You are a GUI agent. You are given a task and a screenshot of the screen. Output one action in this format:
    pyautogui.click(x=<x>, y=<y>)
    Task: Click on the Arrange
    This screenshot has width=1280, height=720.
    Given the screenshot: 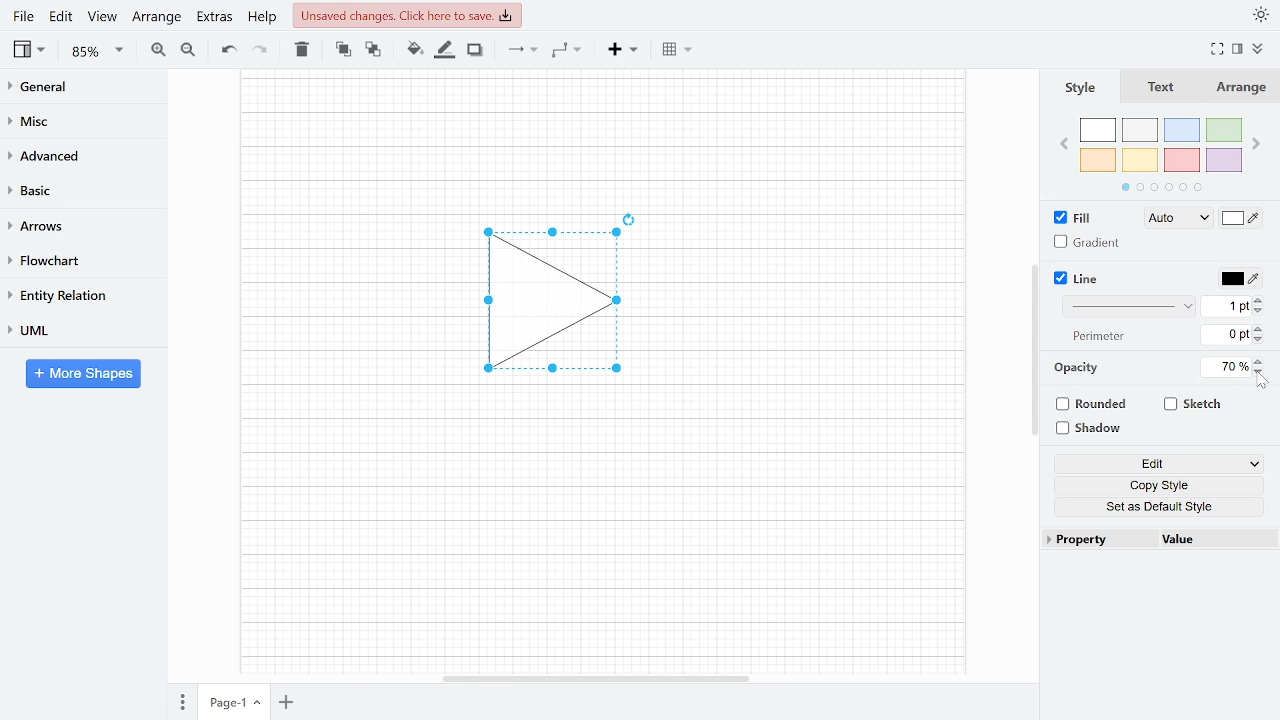 What is the action you would take?
    pyautogui.click(x=156, y=16)
    